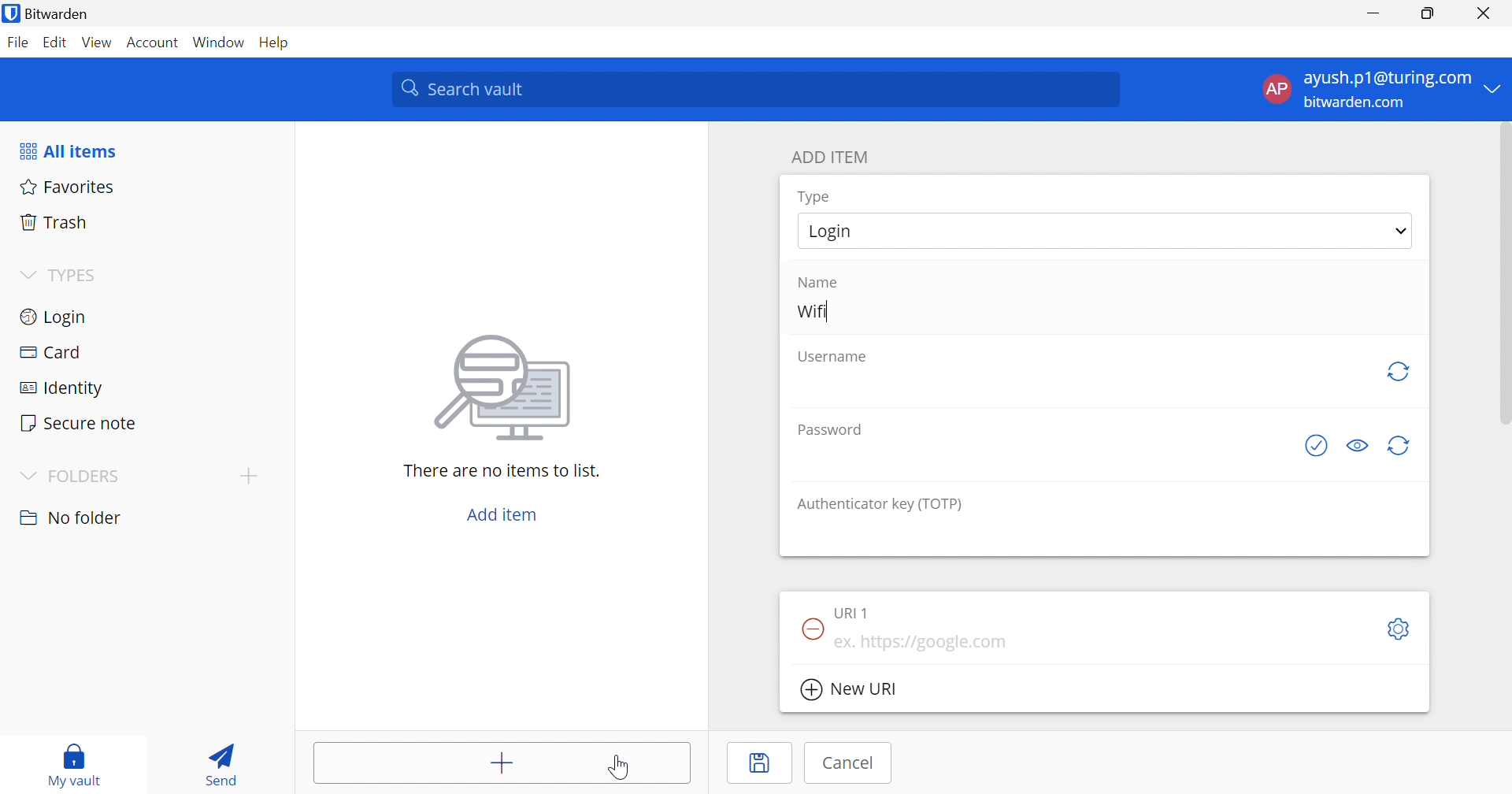 This screenshot has width=1512, height=794. I want to click on Trash, so click(54, 220).